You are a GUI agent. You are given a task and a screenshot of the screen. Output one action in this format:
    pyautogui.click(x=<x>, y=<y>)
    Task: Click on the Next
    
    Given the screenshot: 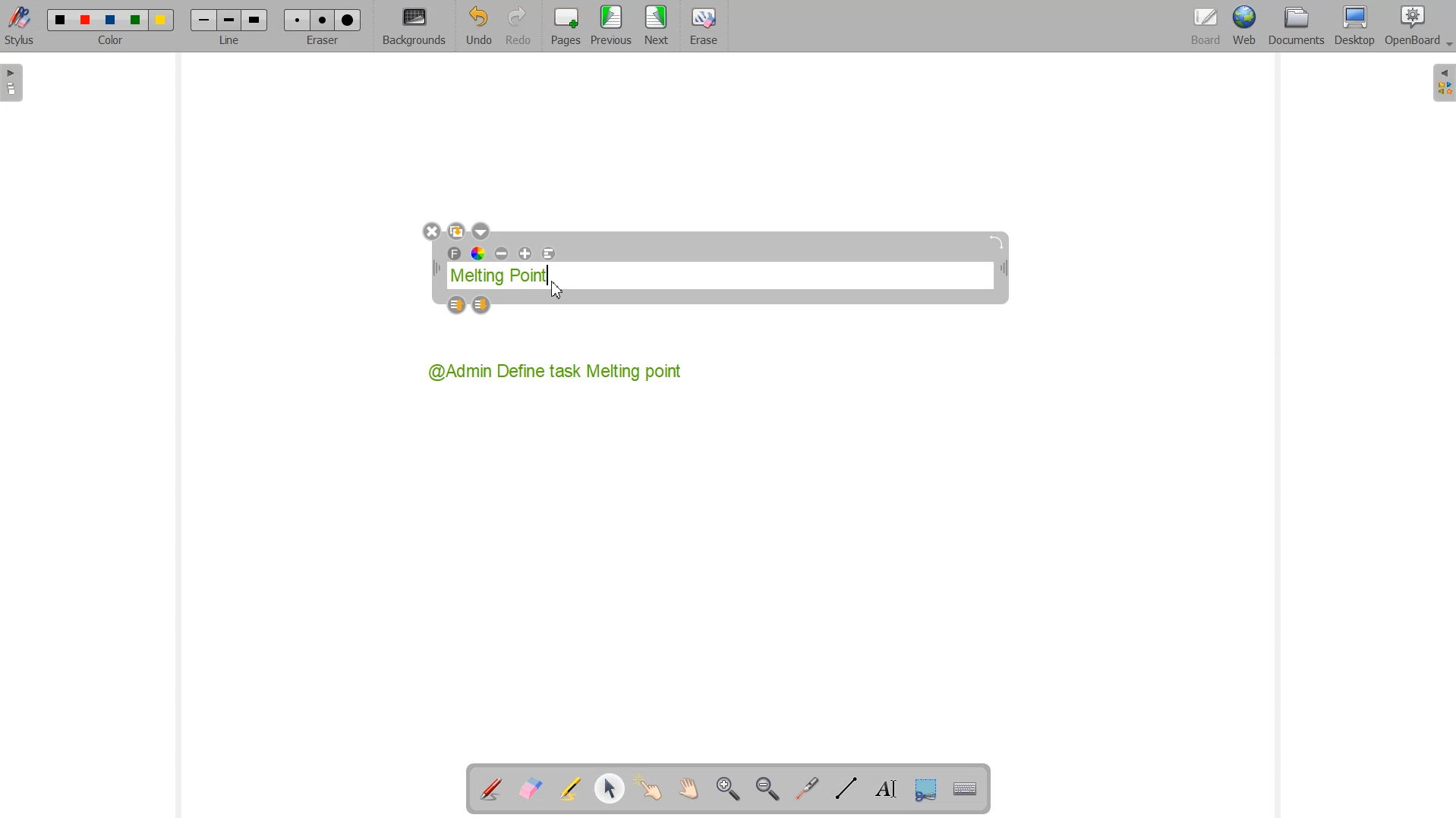 What is the action you would take?
    pyautogui.click(x=657, y=27)
    